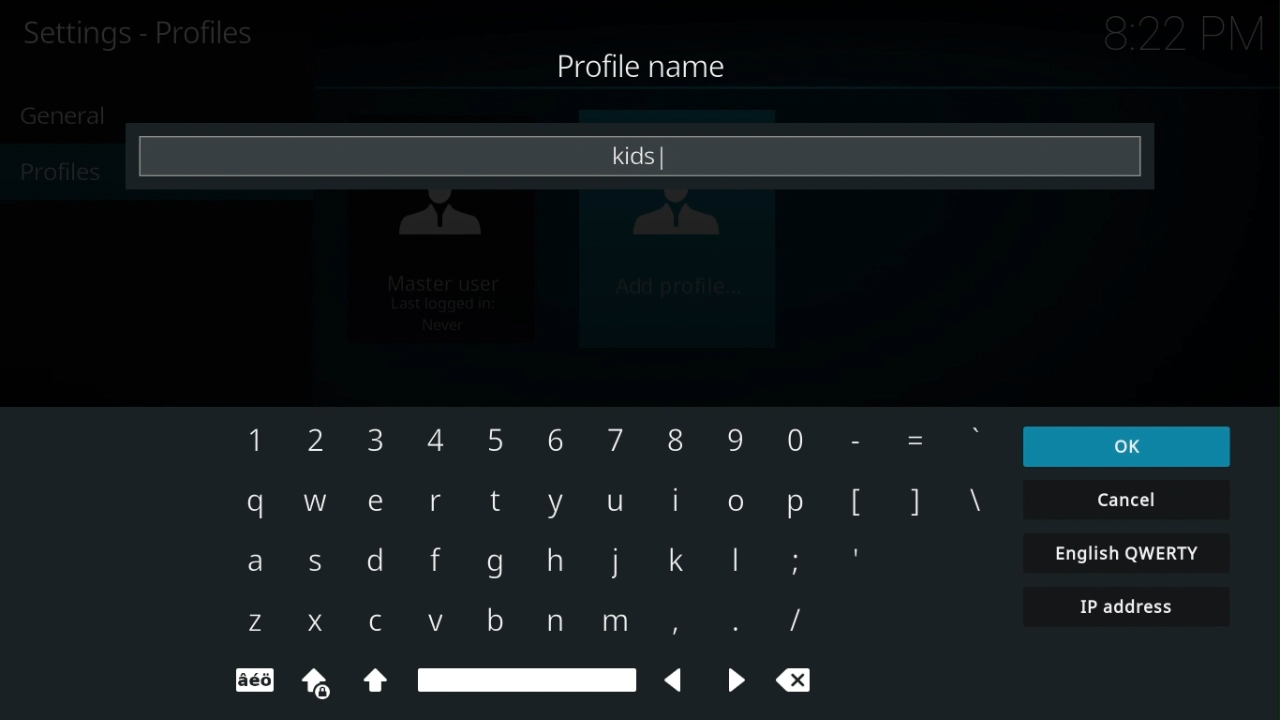  What do you see at coordinates (318, 684) in the screenshot?
I see `lock` at bounding box center [318, 684].